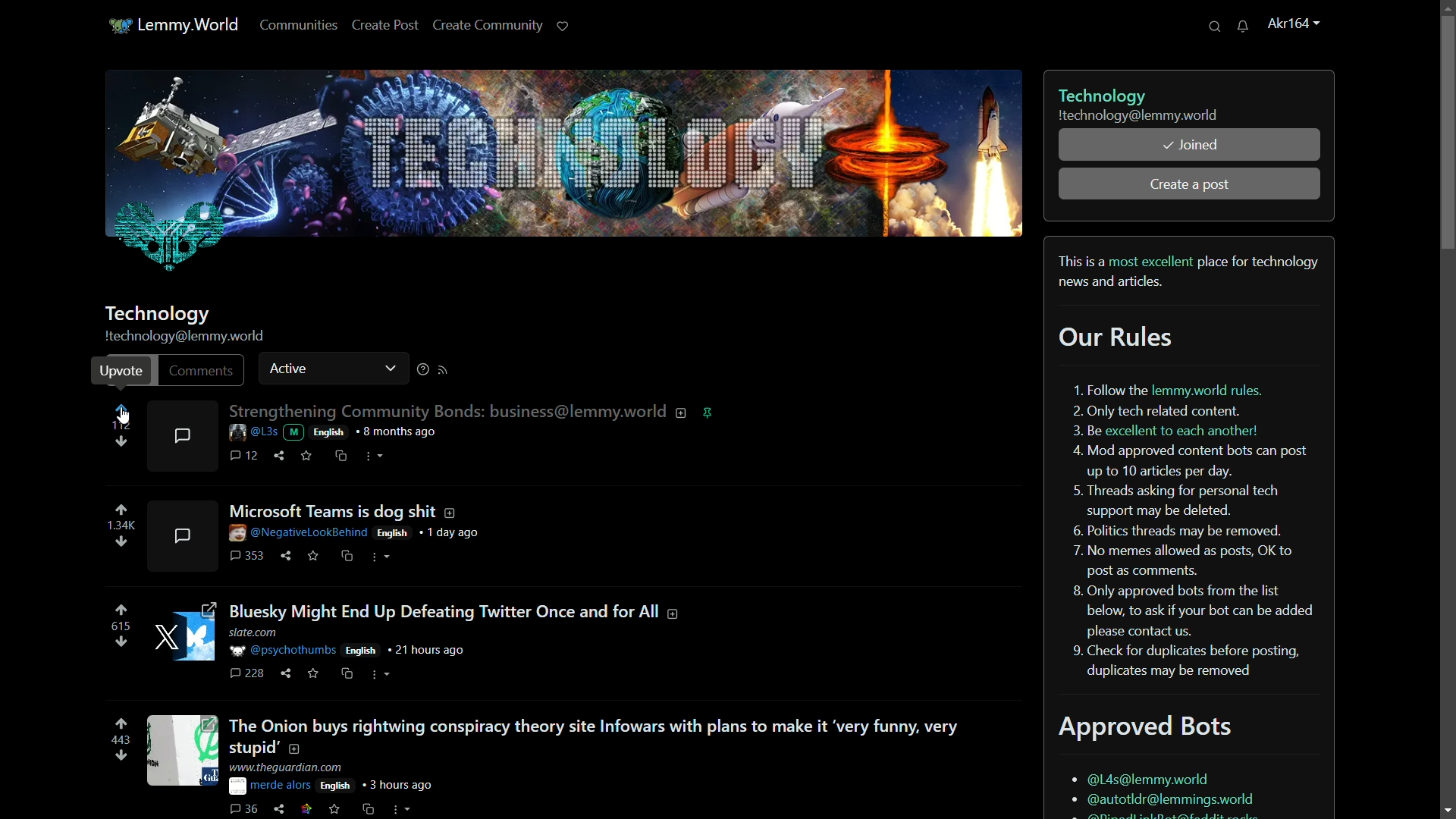 The image size is (1456, 819). I want to click on lemmy.world, so click(192, 25).